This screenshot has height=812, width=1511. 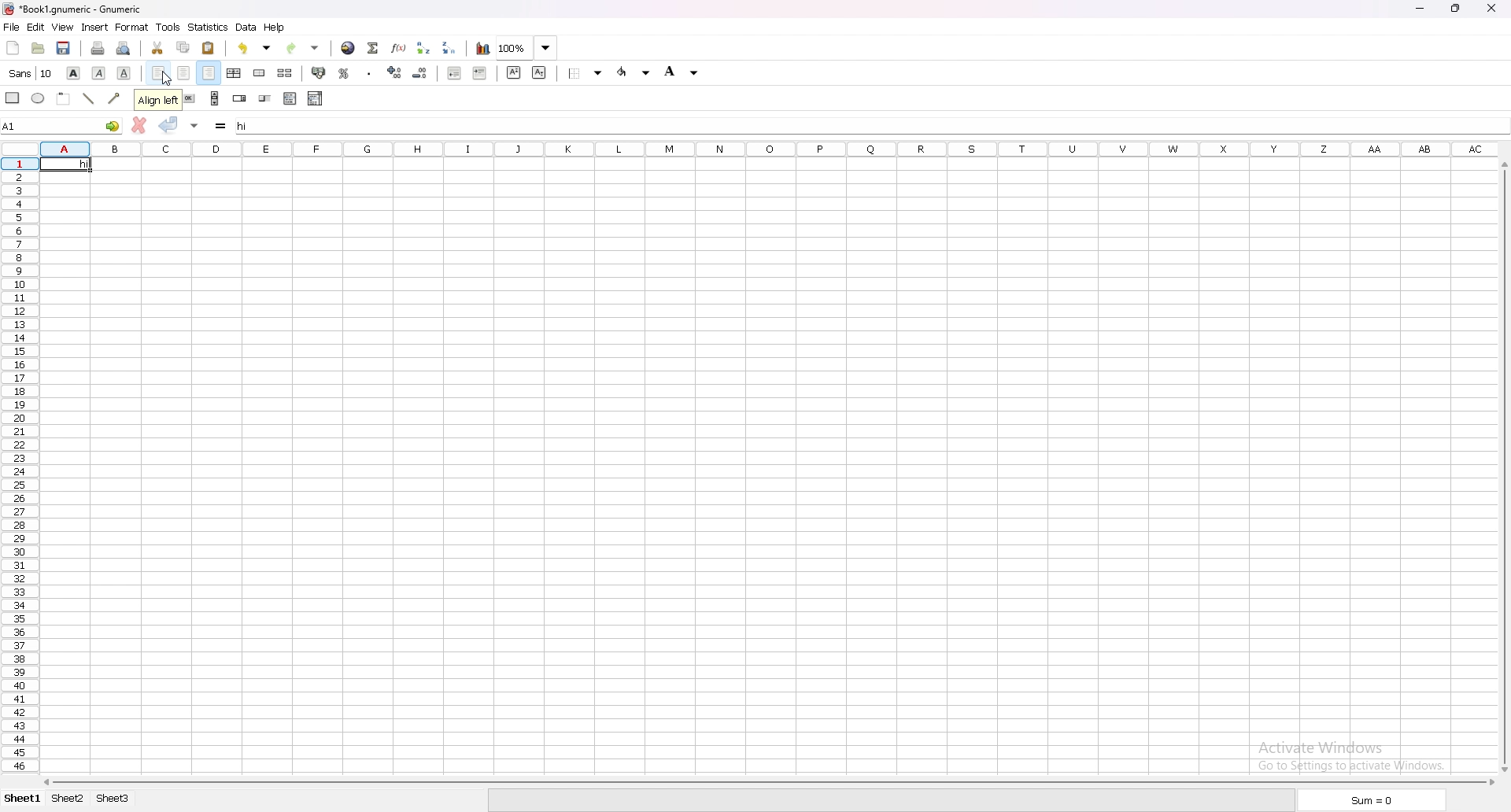 I want to click on summation, so click(x=373, y=47).